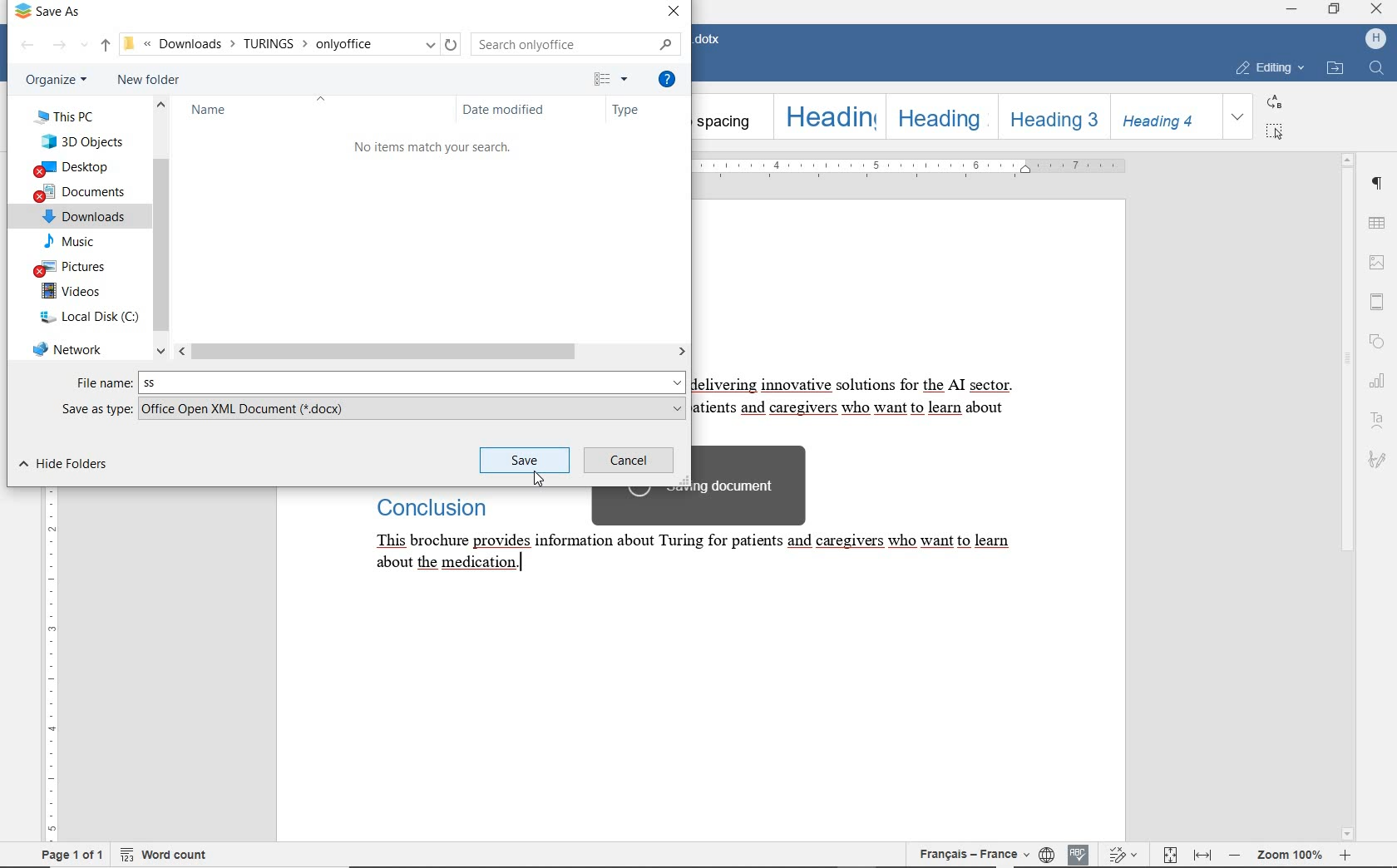 This screenshot has height=868, width=1397. I want to click on CHART, so click(1380, 383).